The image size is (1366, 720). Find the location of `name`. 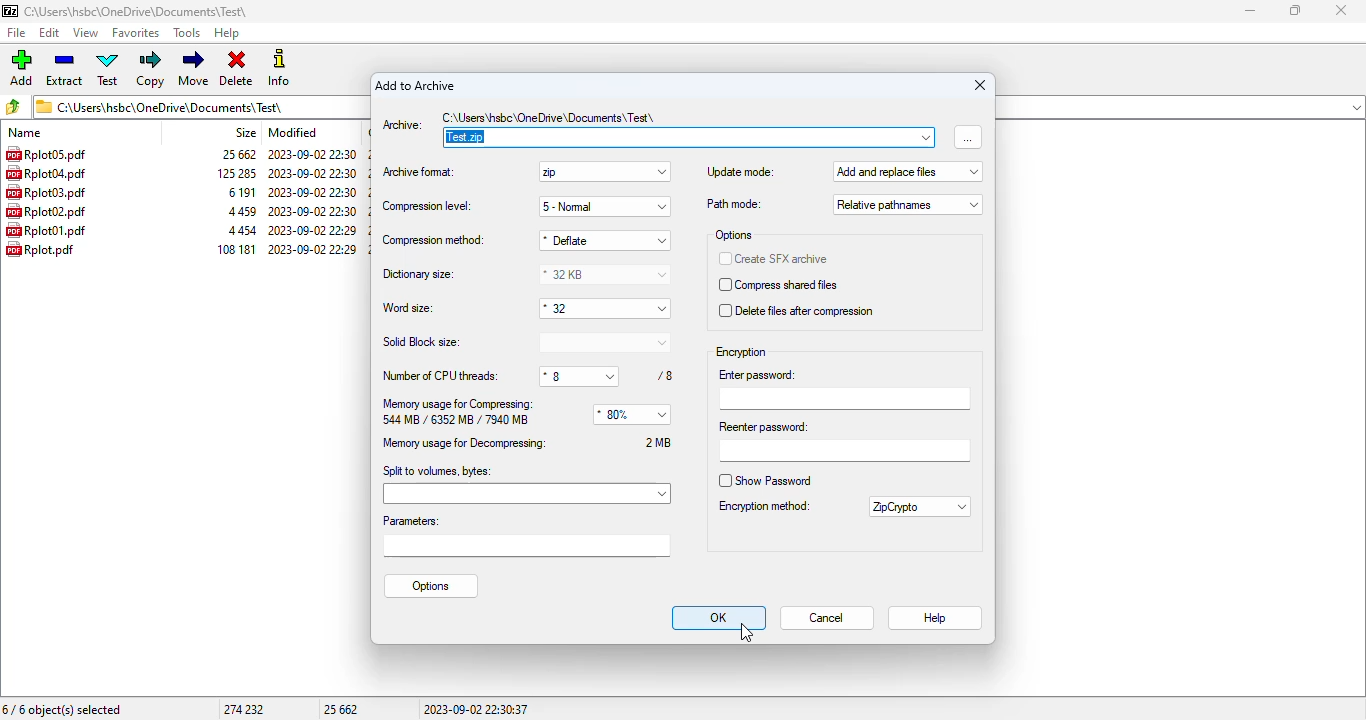

name is located at coordinates (25, 132).